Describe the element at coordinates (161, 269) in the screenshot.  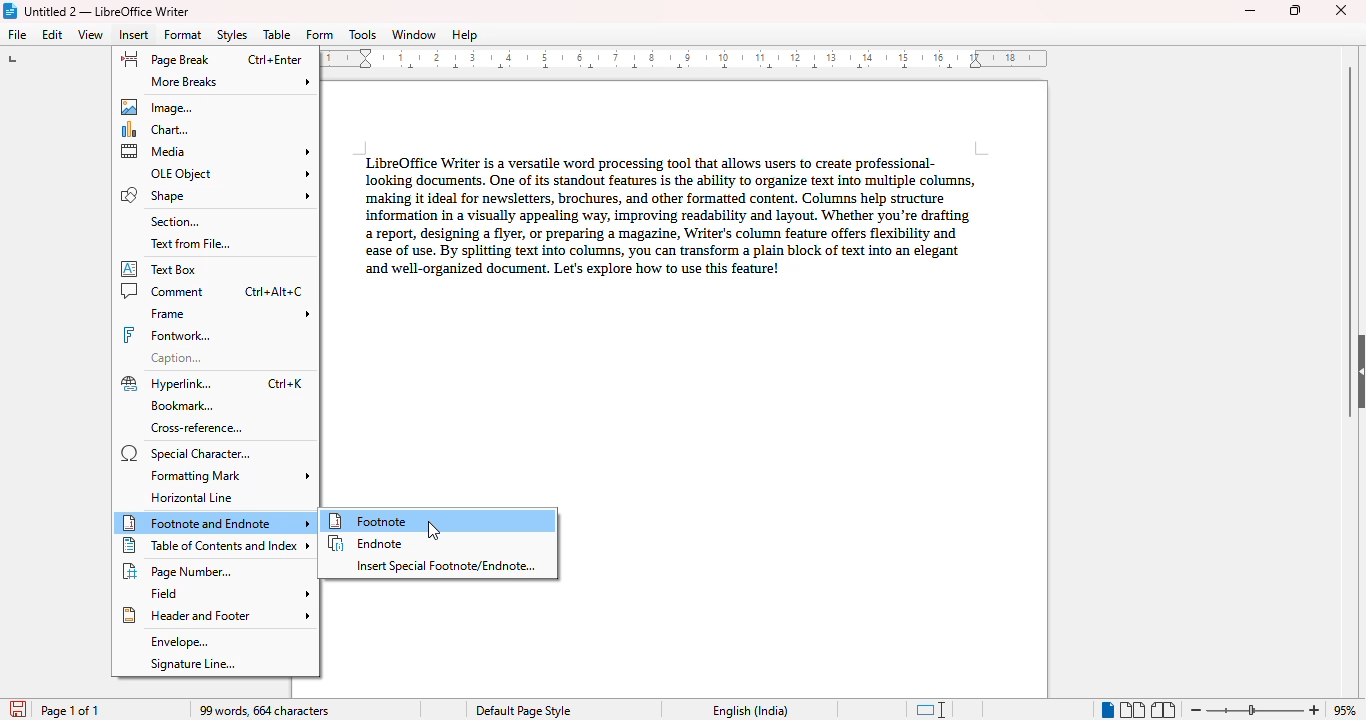
I see `text box` at that location.